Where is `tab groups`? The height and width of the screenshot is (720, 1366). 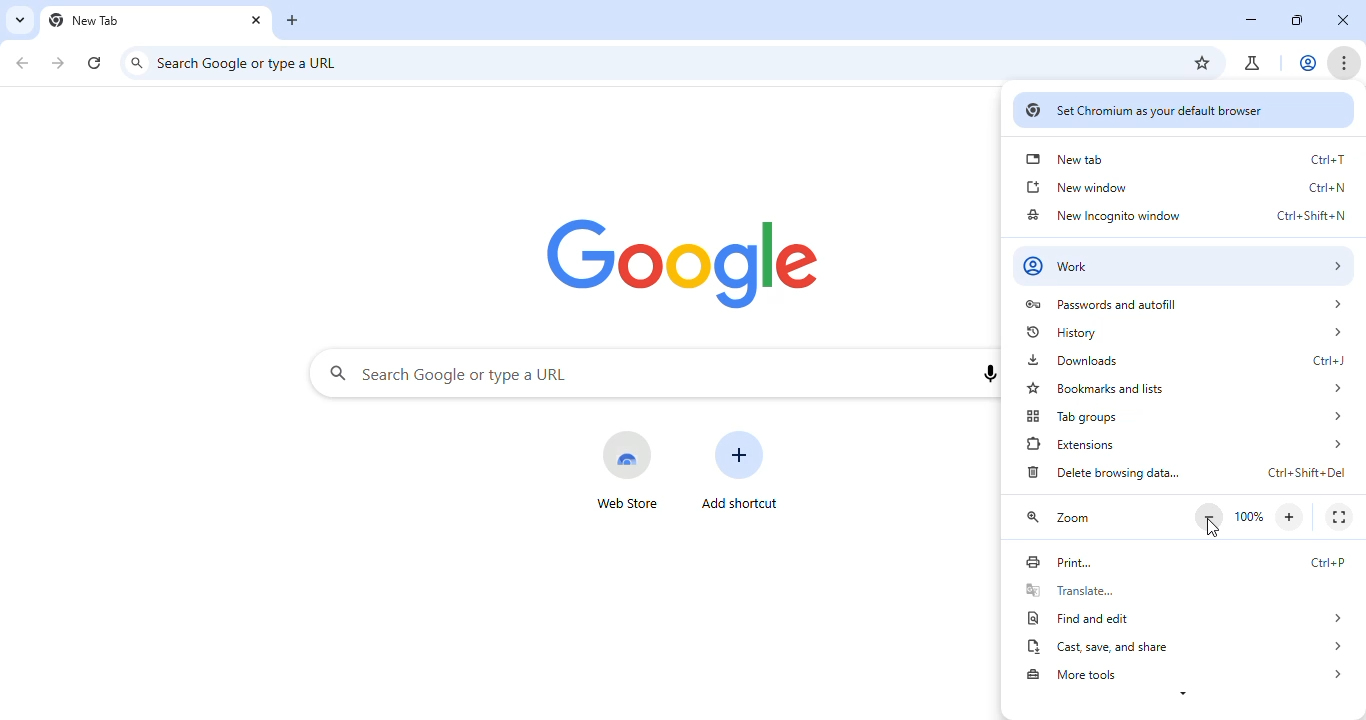
tab groups is located at coordinates (1185, 418).